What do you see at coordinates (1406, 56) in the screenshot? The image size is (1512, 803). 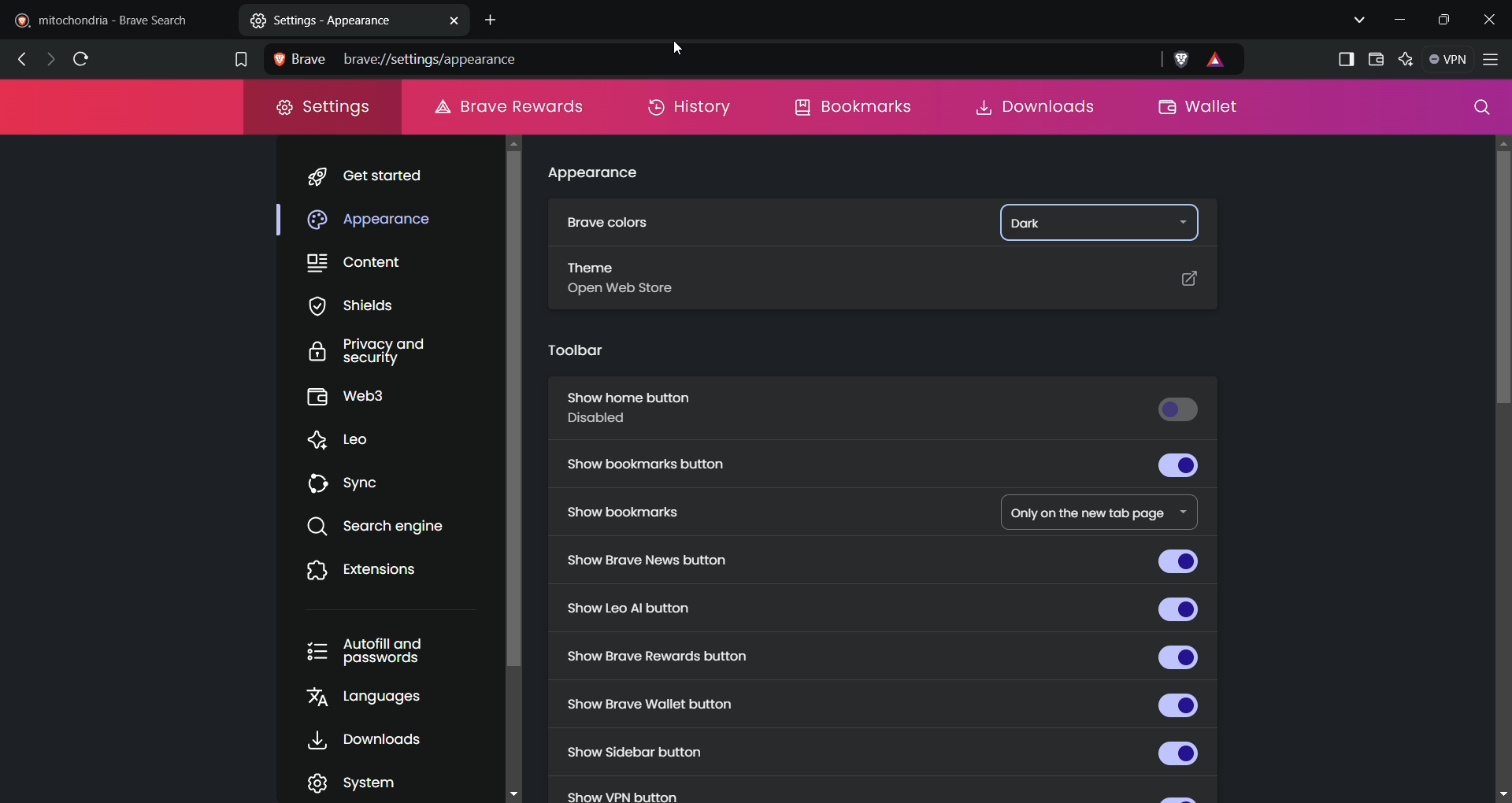 I see `leo AI` at bounding box center [1406, 56].